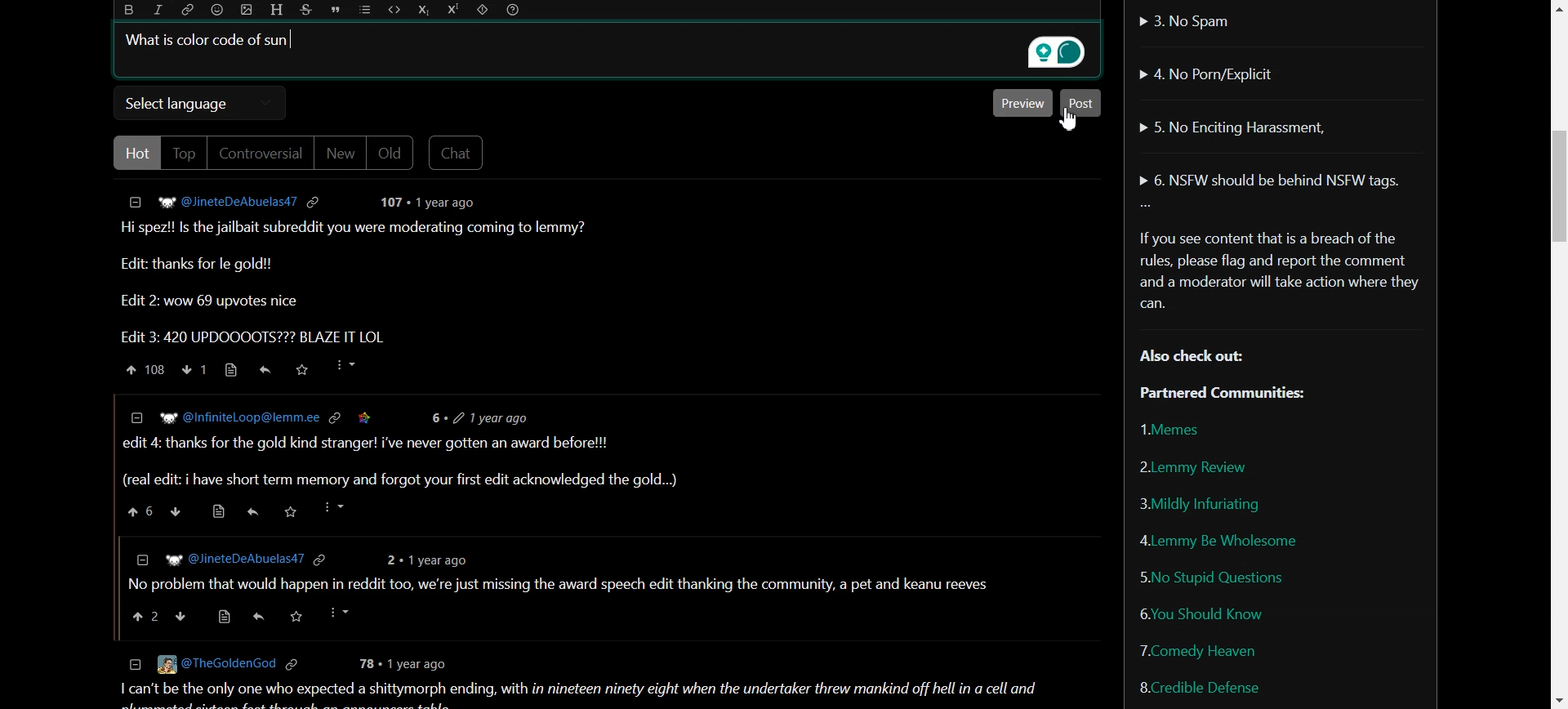  Describe the element at coordinates (456, 154) in the screenshot. I see `Chat` at that location.